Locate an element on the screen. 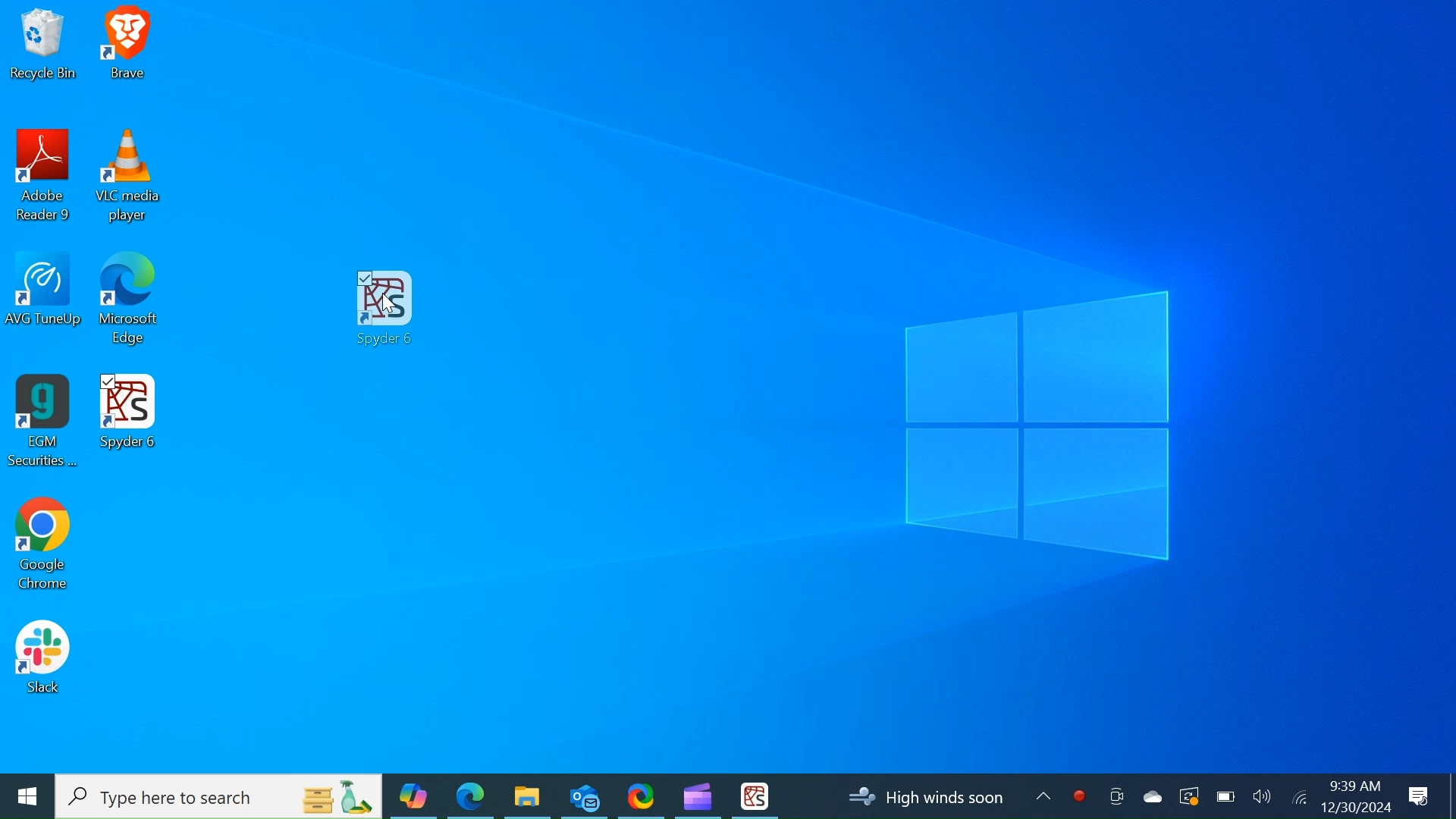 This screenshot has height=819, width=1456. ShareX Desktop Icon is located at coordinates (640, 795).